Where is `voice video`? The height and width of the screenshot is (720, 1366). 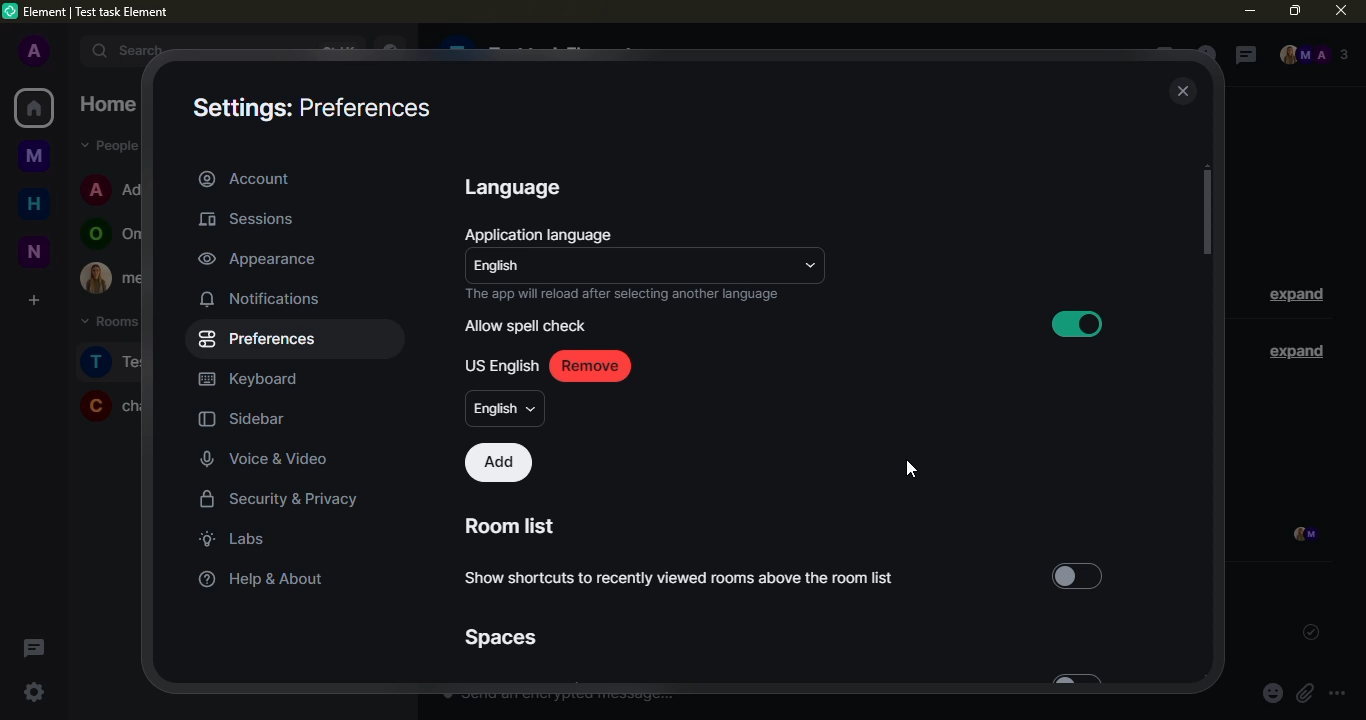
voice video is located at coordinates (278, 457).